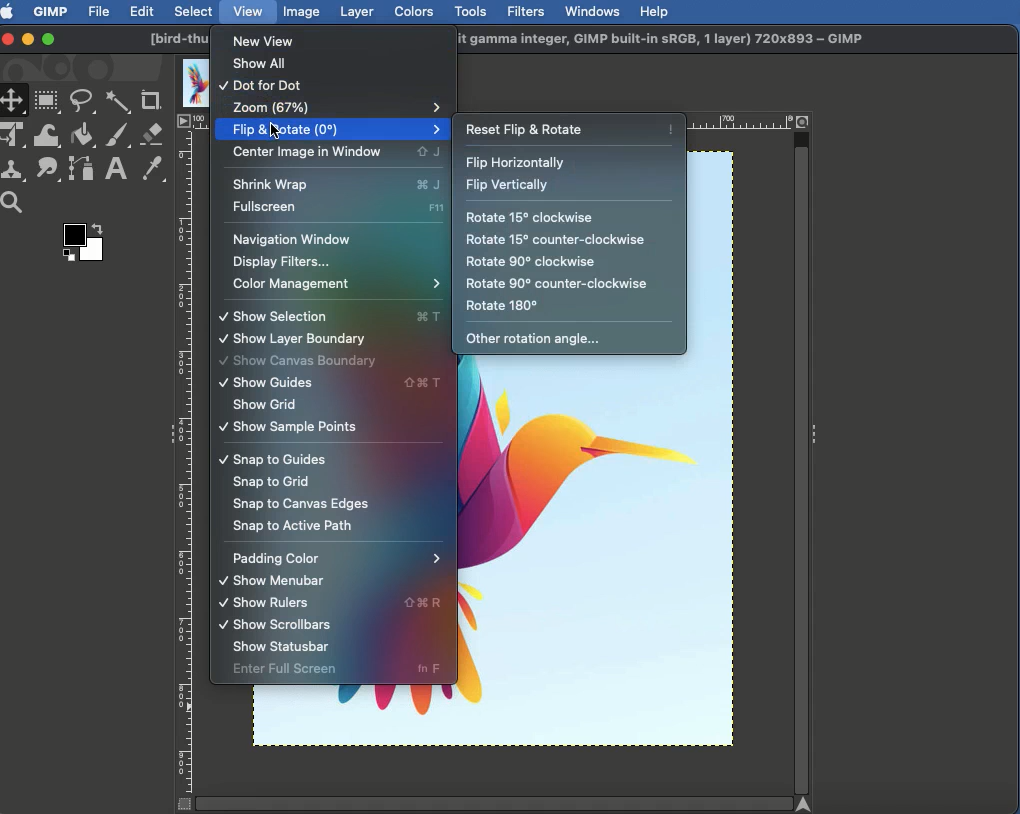  I want to click on Snap to grid, so click(271, 483).